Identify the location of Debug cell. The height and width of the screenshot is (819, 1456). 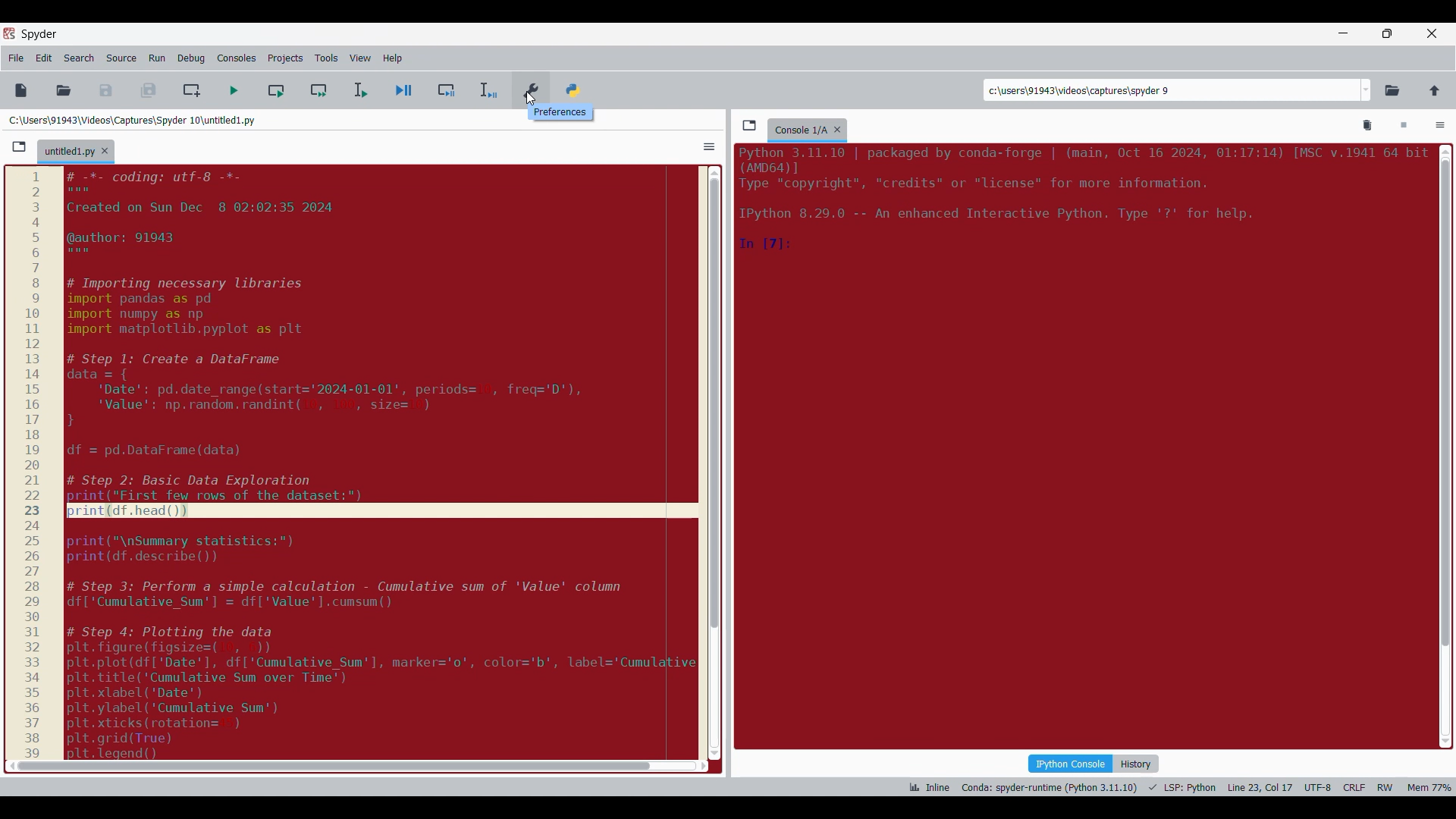
(447, 90).